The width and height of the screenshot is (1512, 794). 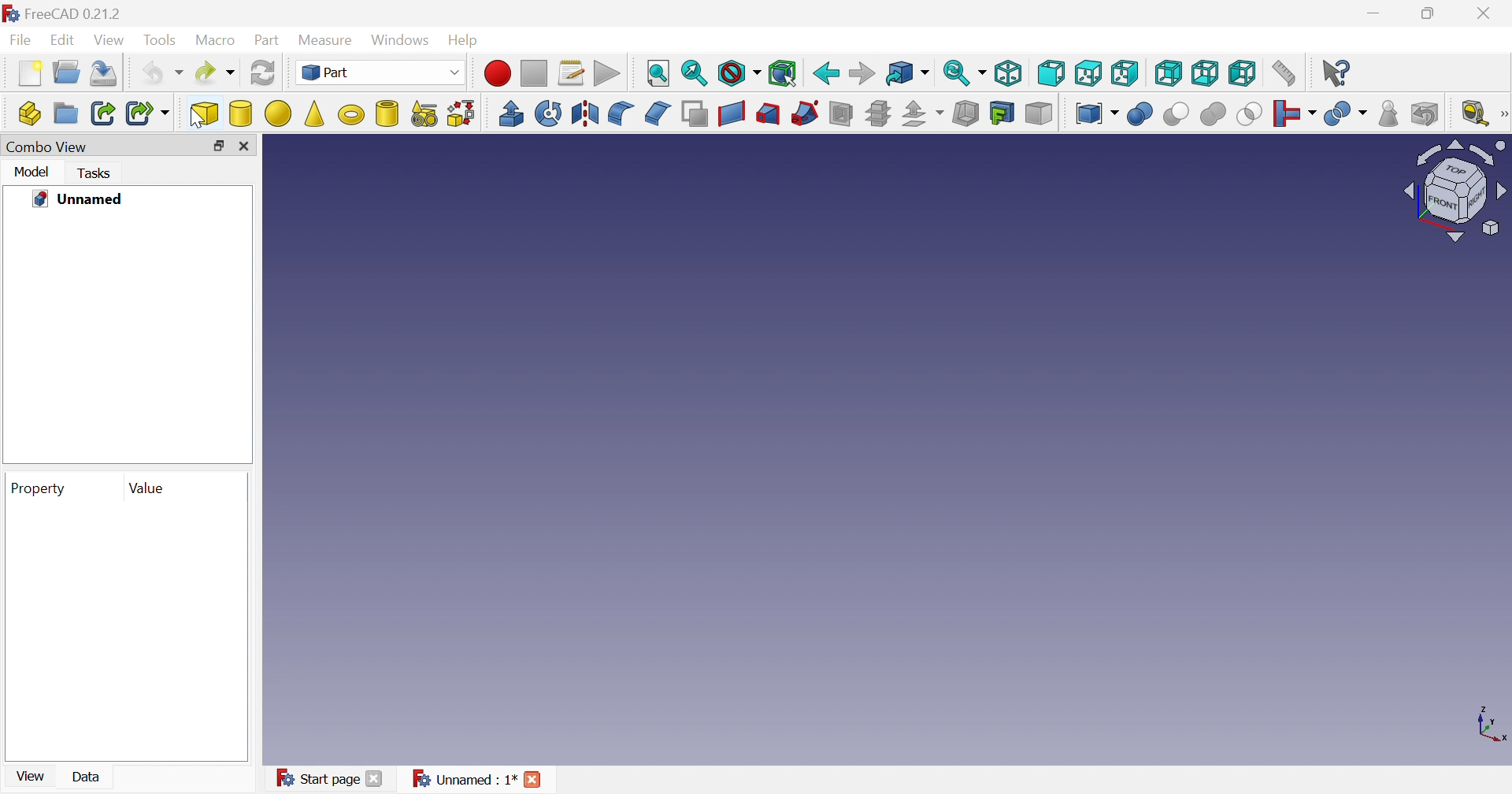 What do you see at coordinates (533, 779) in the screenshot?
I see `Close` at bounding box center [533, 779].